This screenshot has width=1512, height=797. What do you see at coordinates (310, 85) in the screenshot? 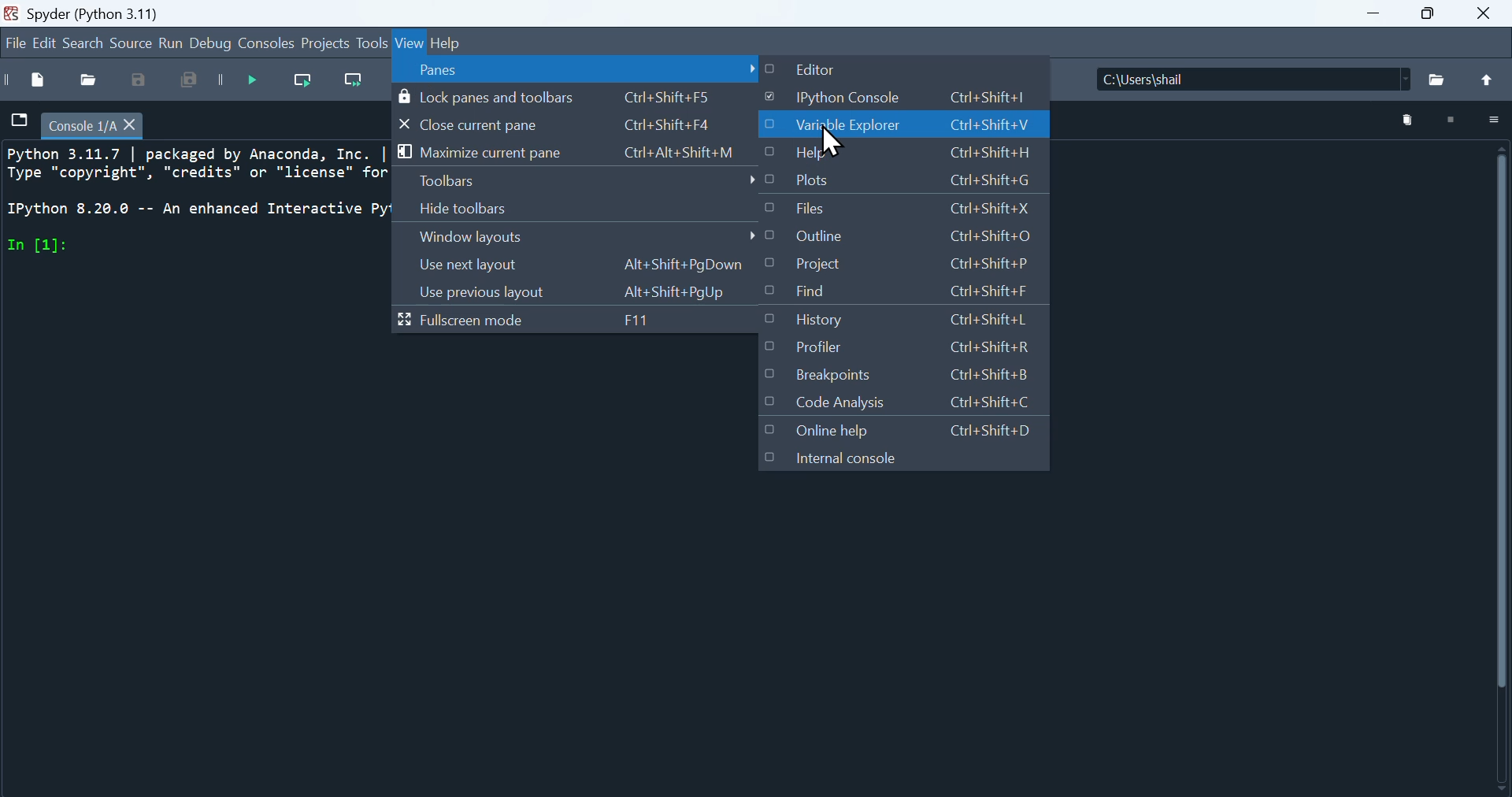
I see `Run current line` at bounding box center [310, 85].